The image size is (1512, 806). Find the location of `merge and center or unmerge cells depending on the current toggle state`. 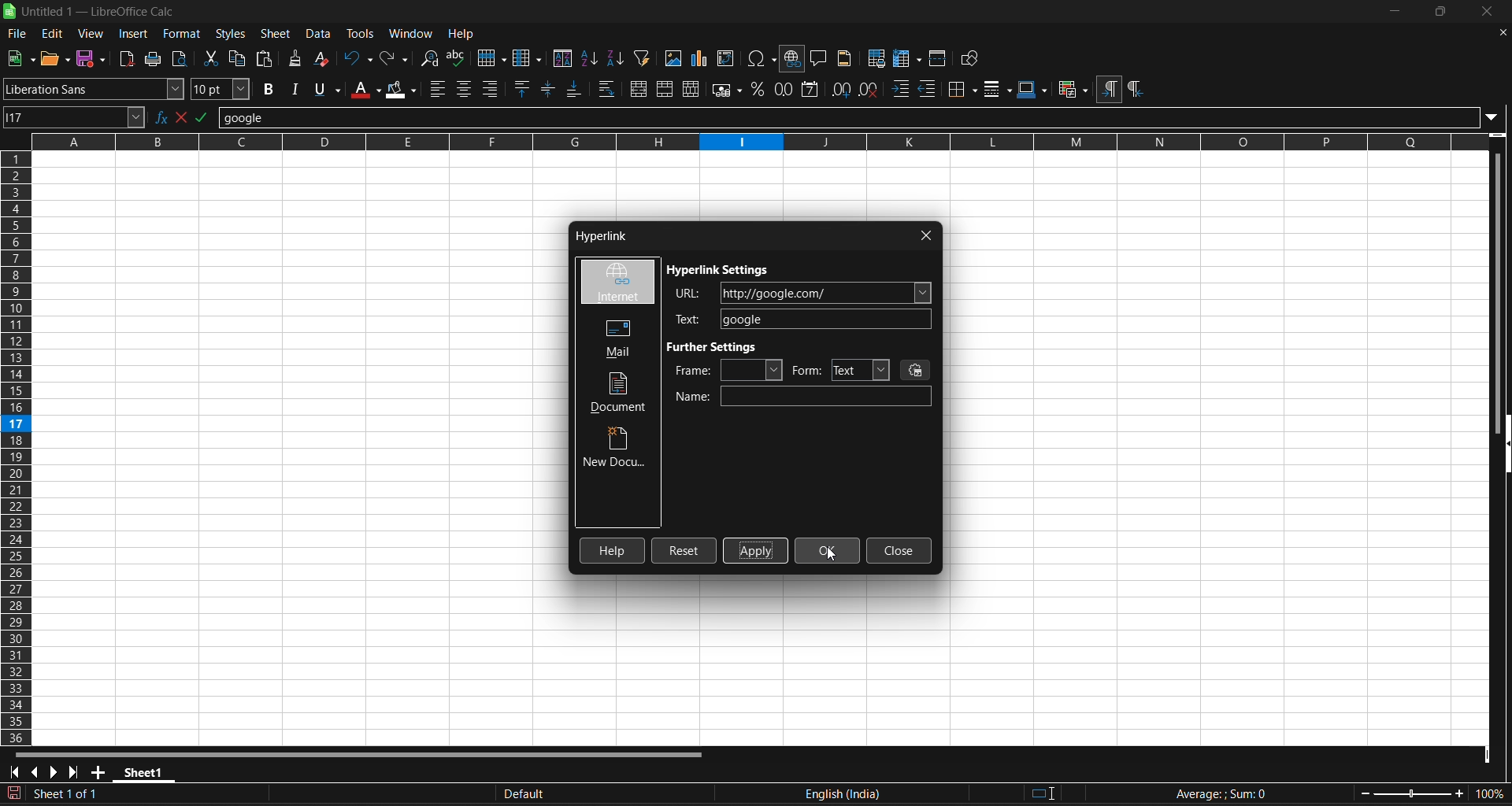

merge and center or unmerge cells depending on the current toggle state is located at coordinates (638, 88).